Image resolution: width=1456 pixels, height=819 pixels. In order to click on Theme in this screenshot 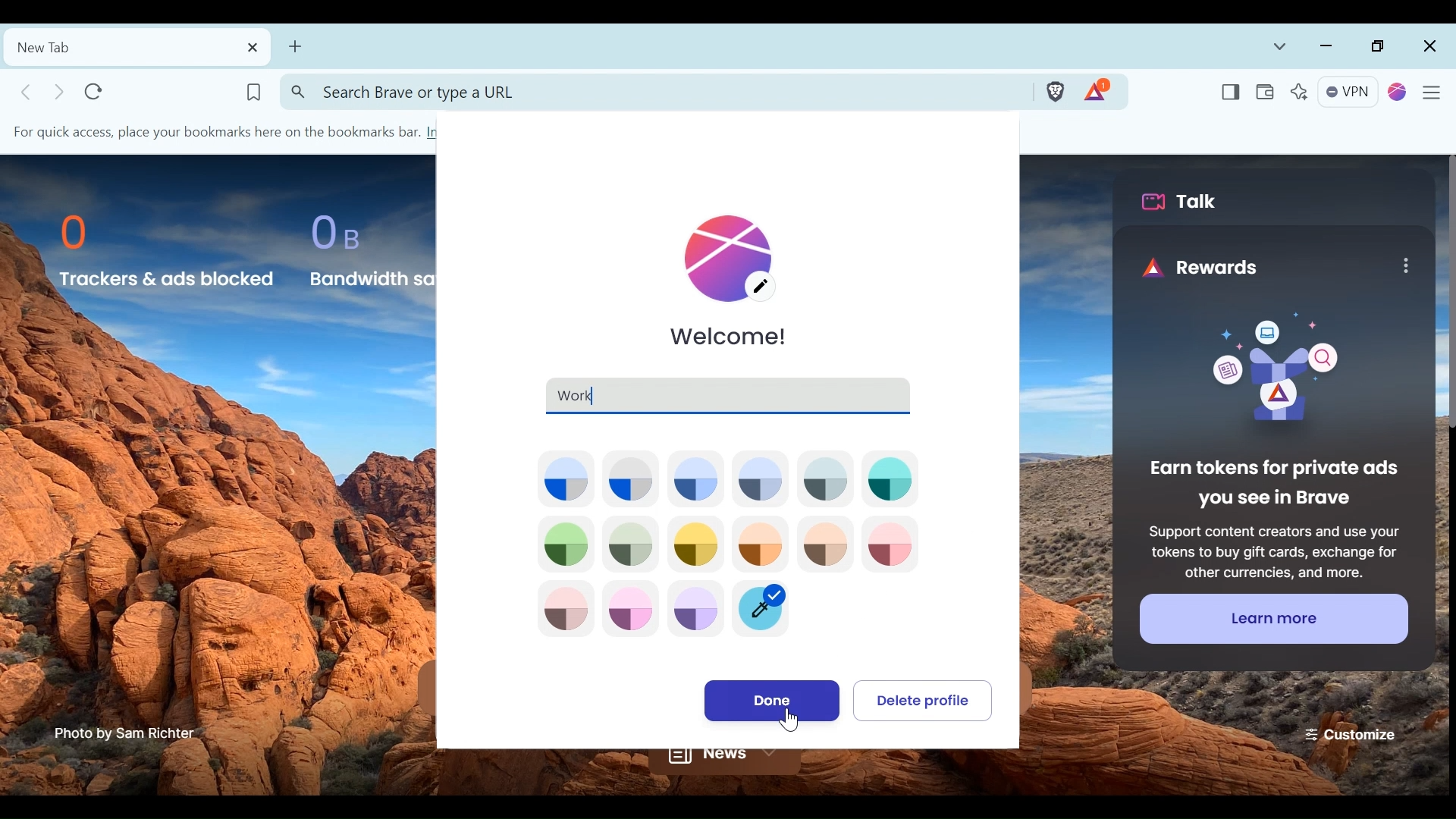, I will do `click(760, 477)`.